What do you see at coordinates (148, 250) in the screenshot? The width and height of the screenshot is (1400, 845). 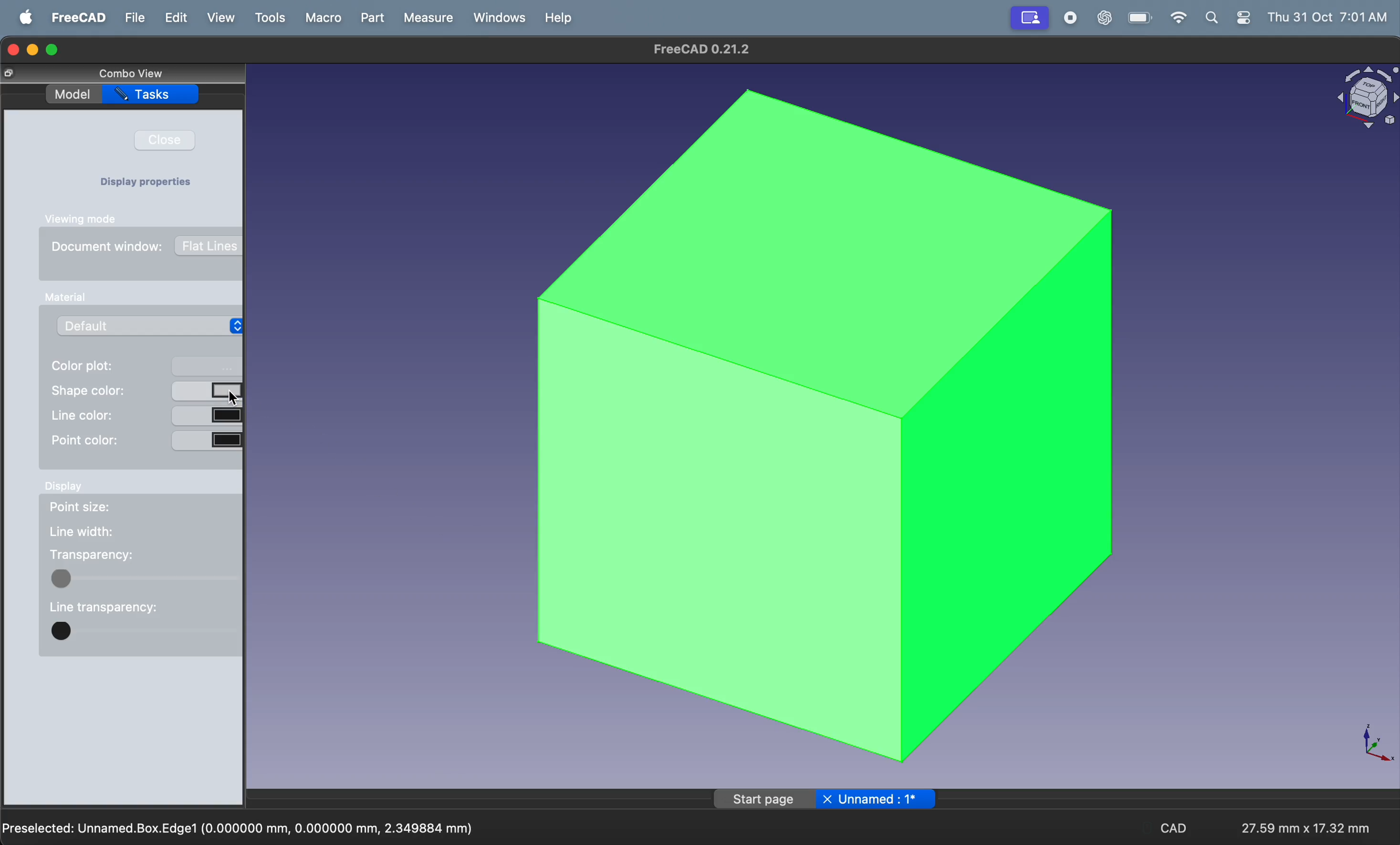 I see `document window` at bounding box center [148, 250].